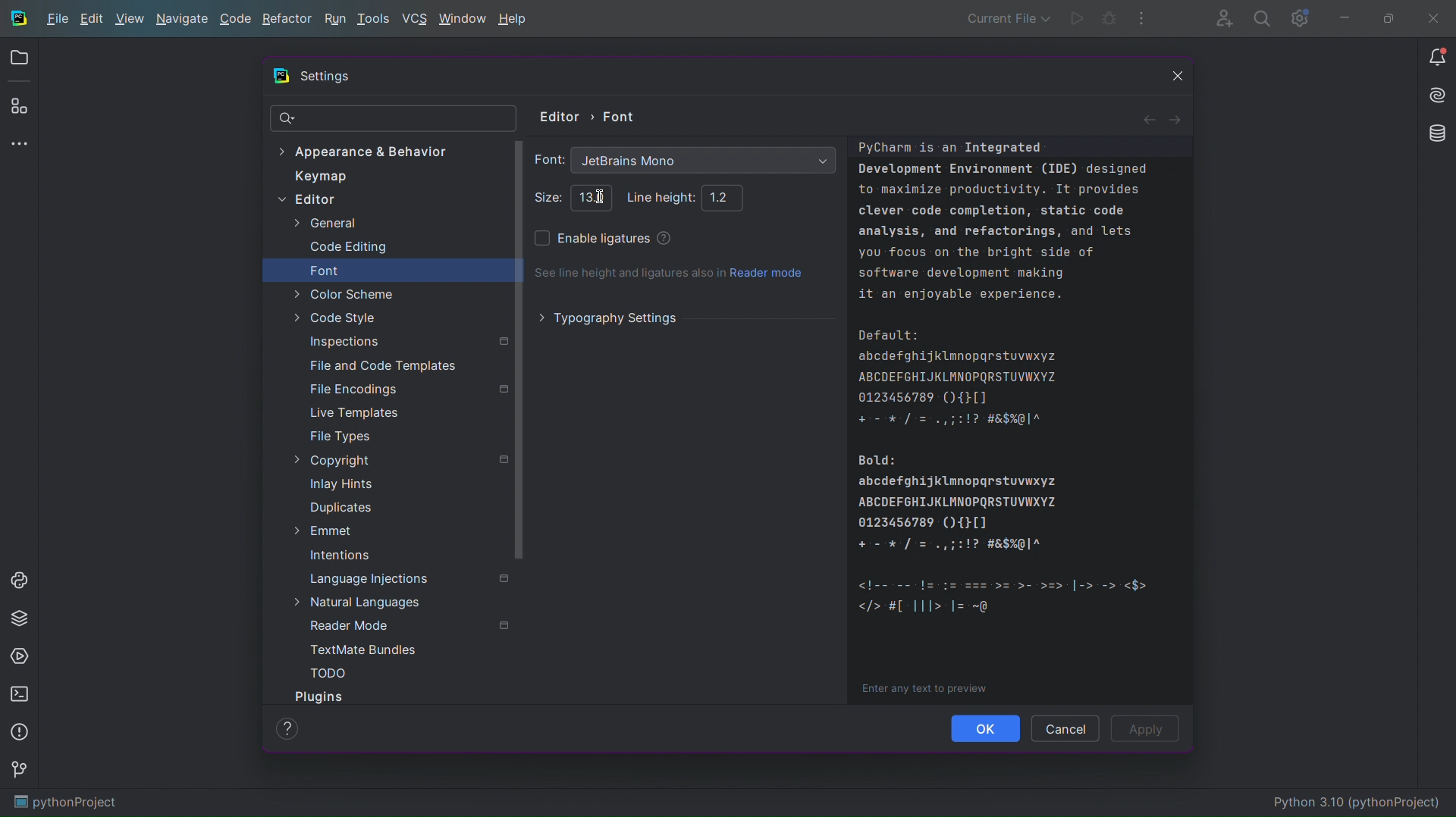 The height and width of the screenshot is (817, 1456). What do you see at coordinates (129, 21) in the screenshot?
I see `View` at bounding box center [129, 21].